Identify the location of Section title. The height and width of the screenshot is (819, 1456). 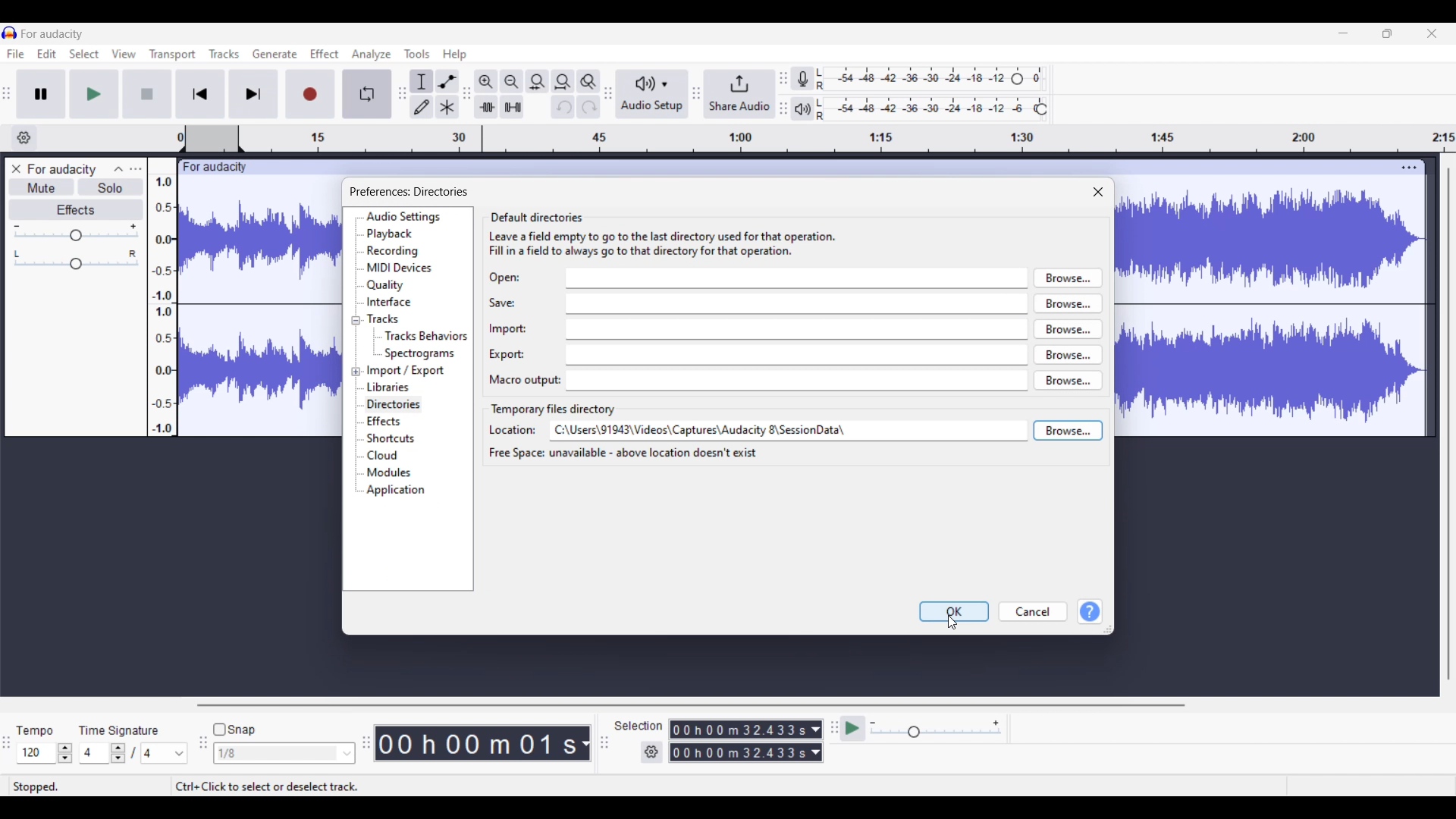
(553, 410).